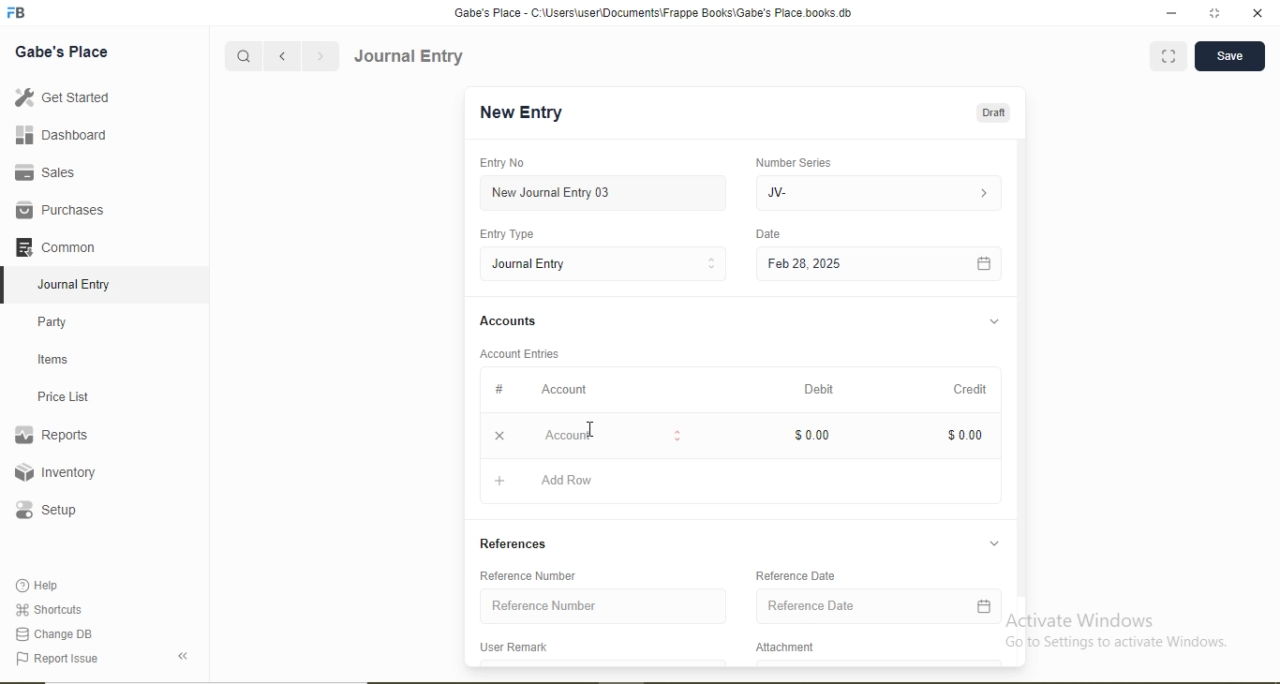  I want to click on #, so click(500, 388).